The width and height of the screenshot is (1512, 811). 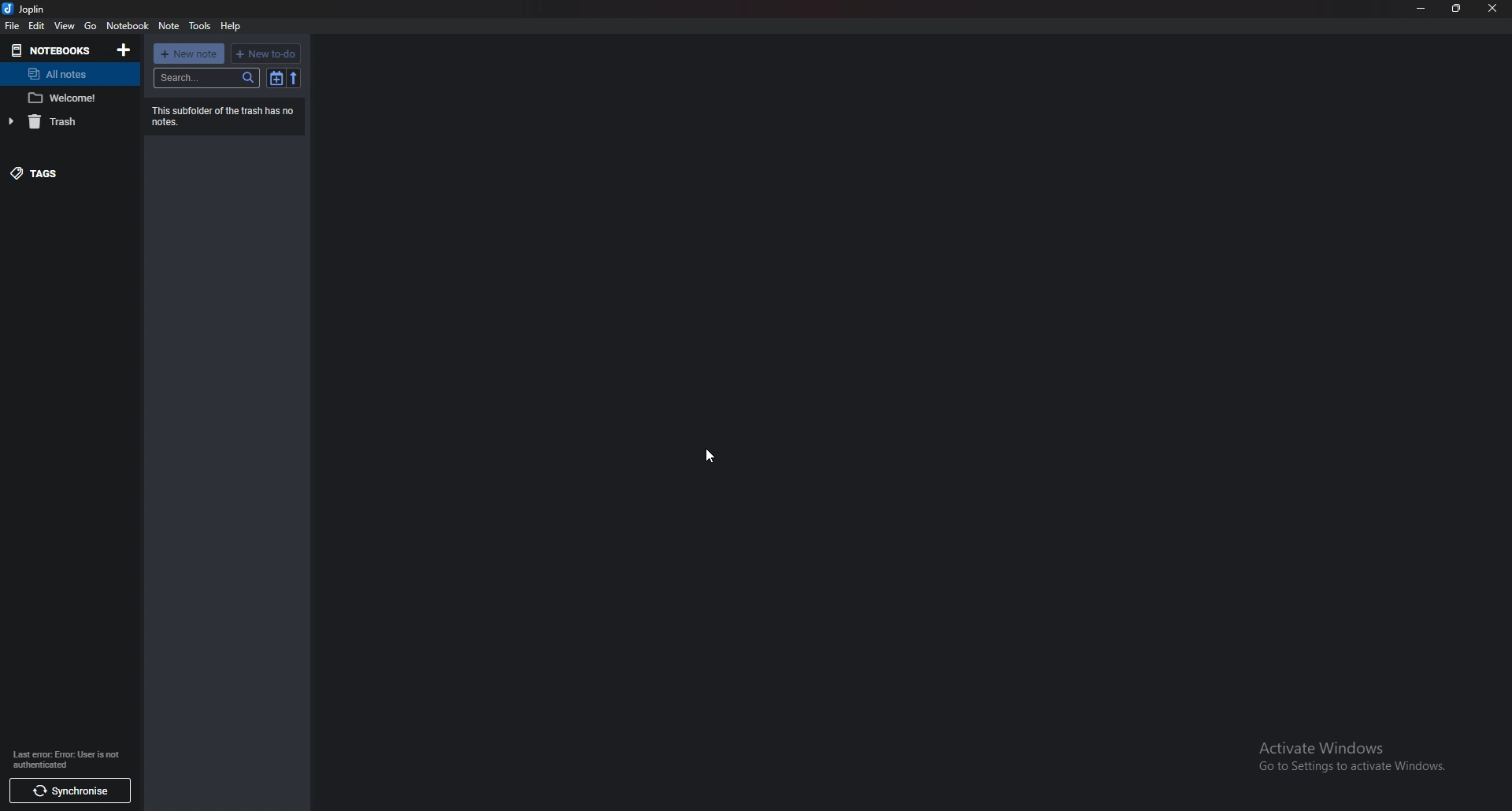 What do you see at coordinates (13, 25) in the screenshot?
I see `file` at bounding box center [13, 25].